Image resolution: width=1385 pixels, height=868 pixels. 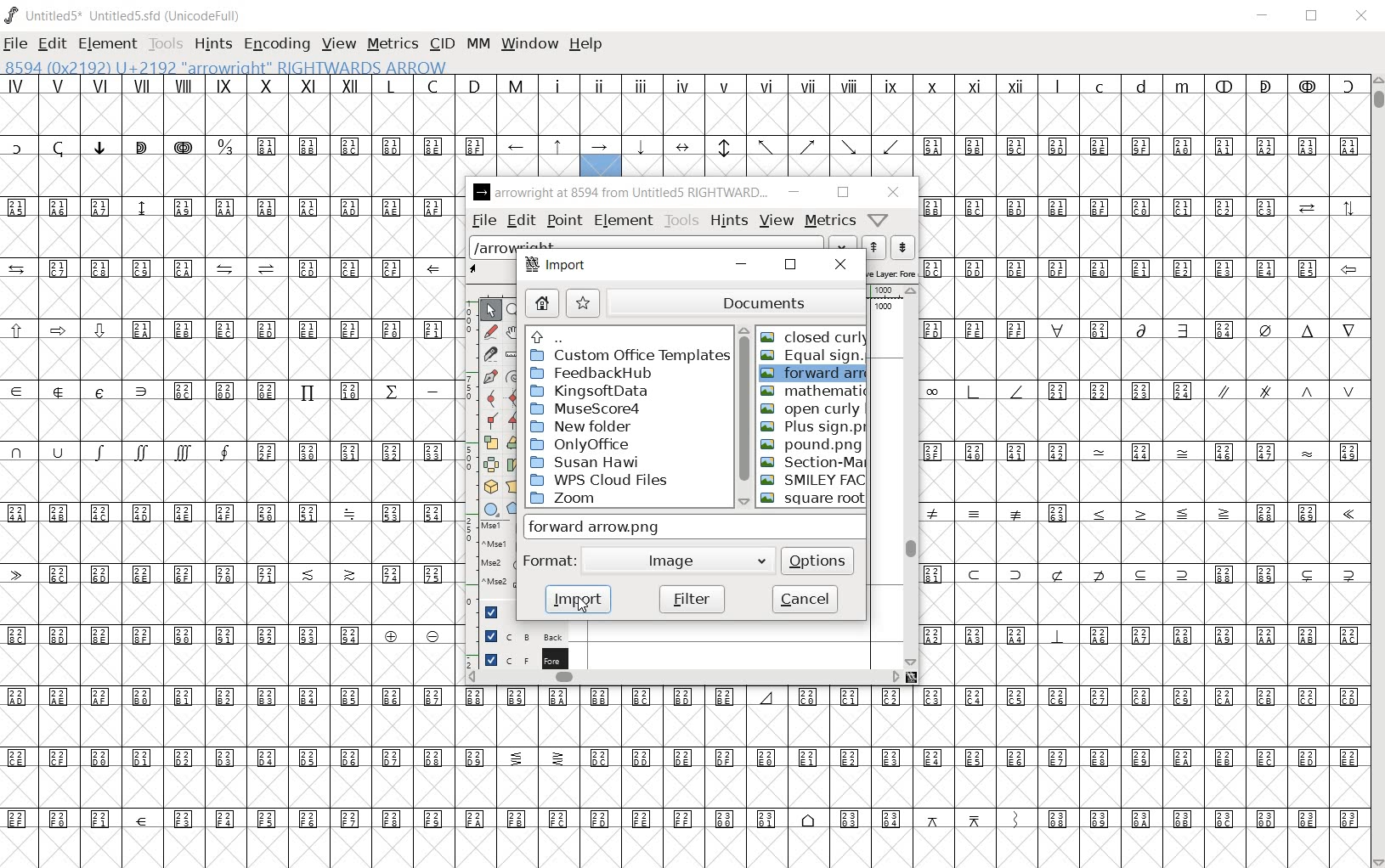 What do you see at coordinates (996, 125) in the screenshot?
I see `glyph characters` at bounding box center [996, 125].